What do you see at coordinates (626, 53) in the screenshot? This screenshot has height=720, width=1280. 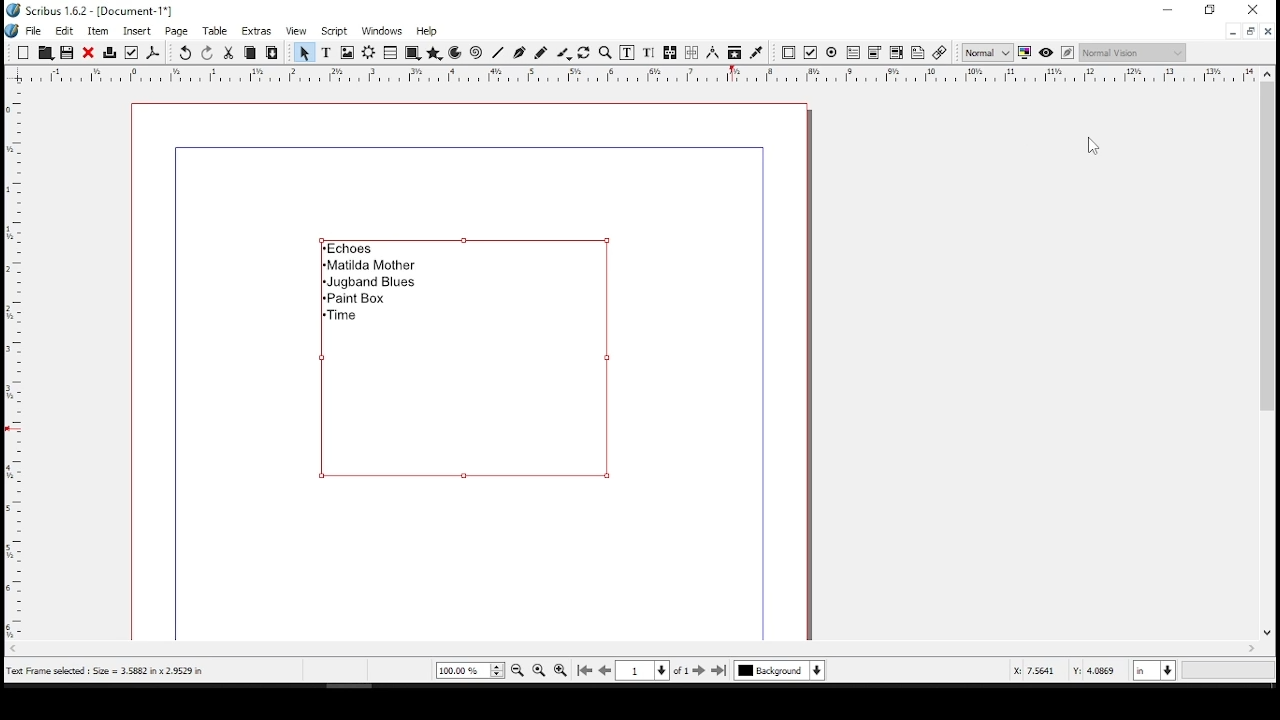 I see `edit contents of frame` at bounding box center [626, 53].